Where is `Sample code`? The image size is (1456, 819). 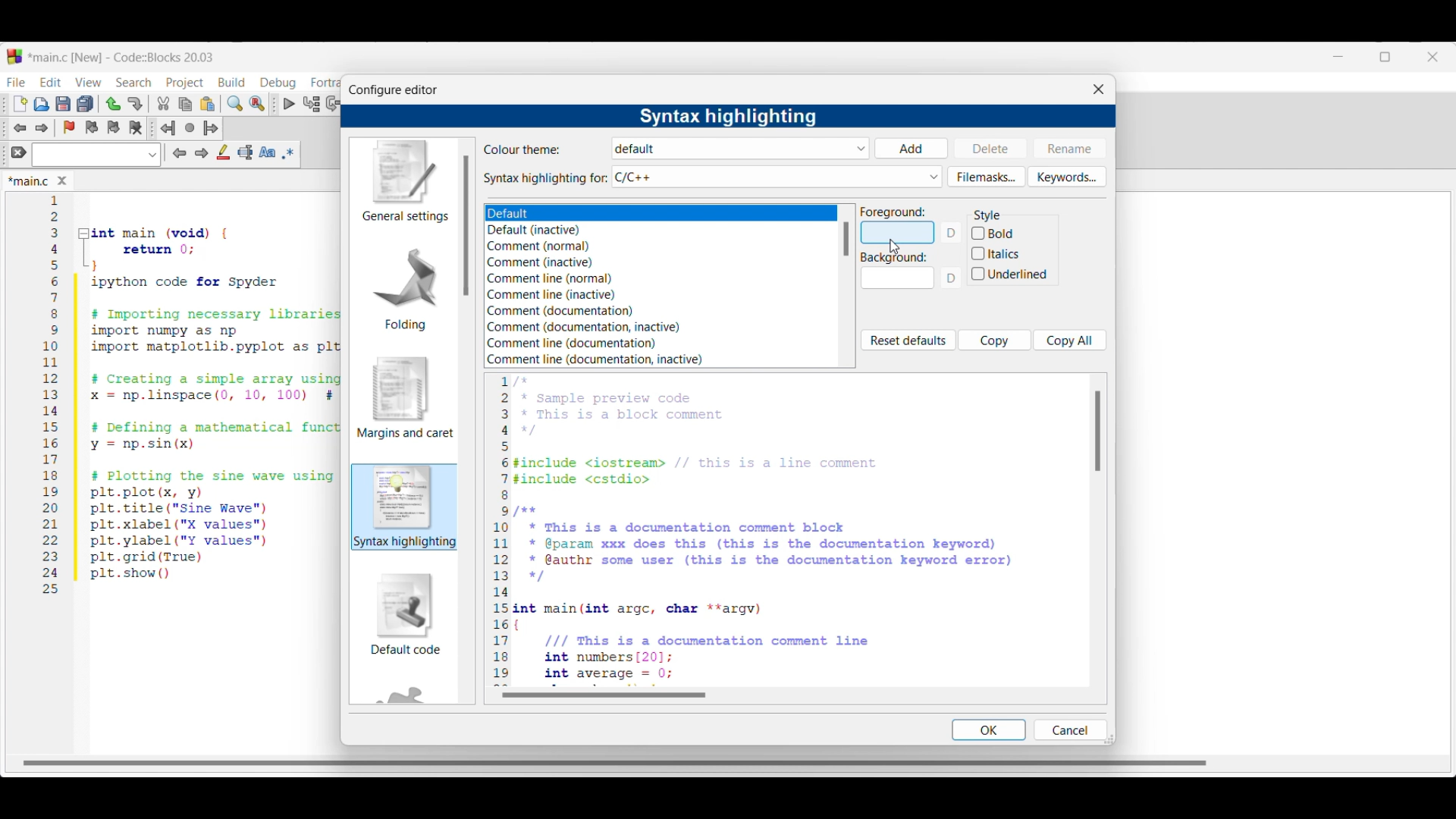 Sample code is located at coordinates (754, 530).